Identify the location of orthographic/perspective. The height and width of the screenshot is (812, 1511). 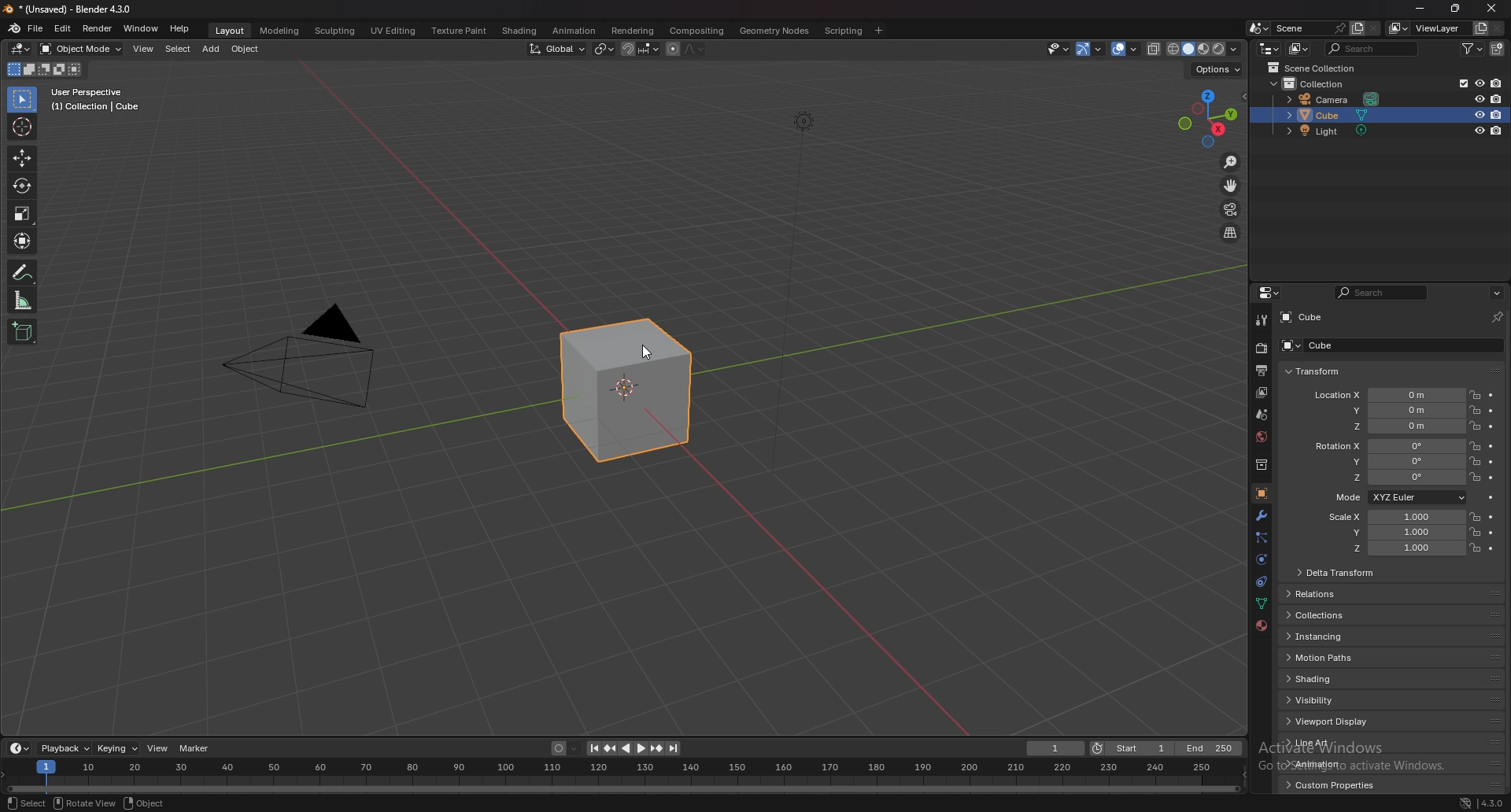
(1231, 234).